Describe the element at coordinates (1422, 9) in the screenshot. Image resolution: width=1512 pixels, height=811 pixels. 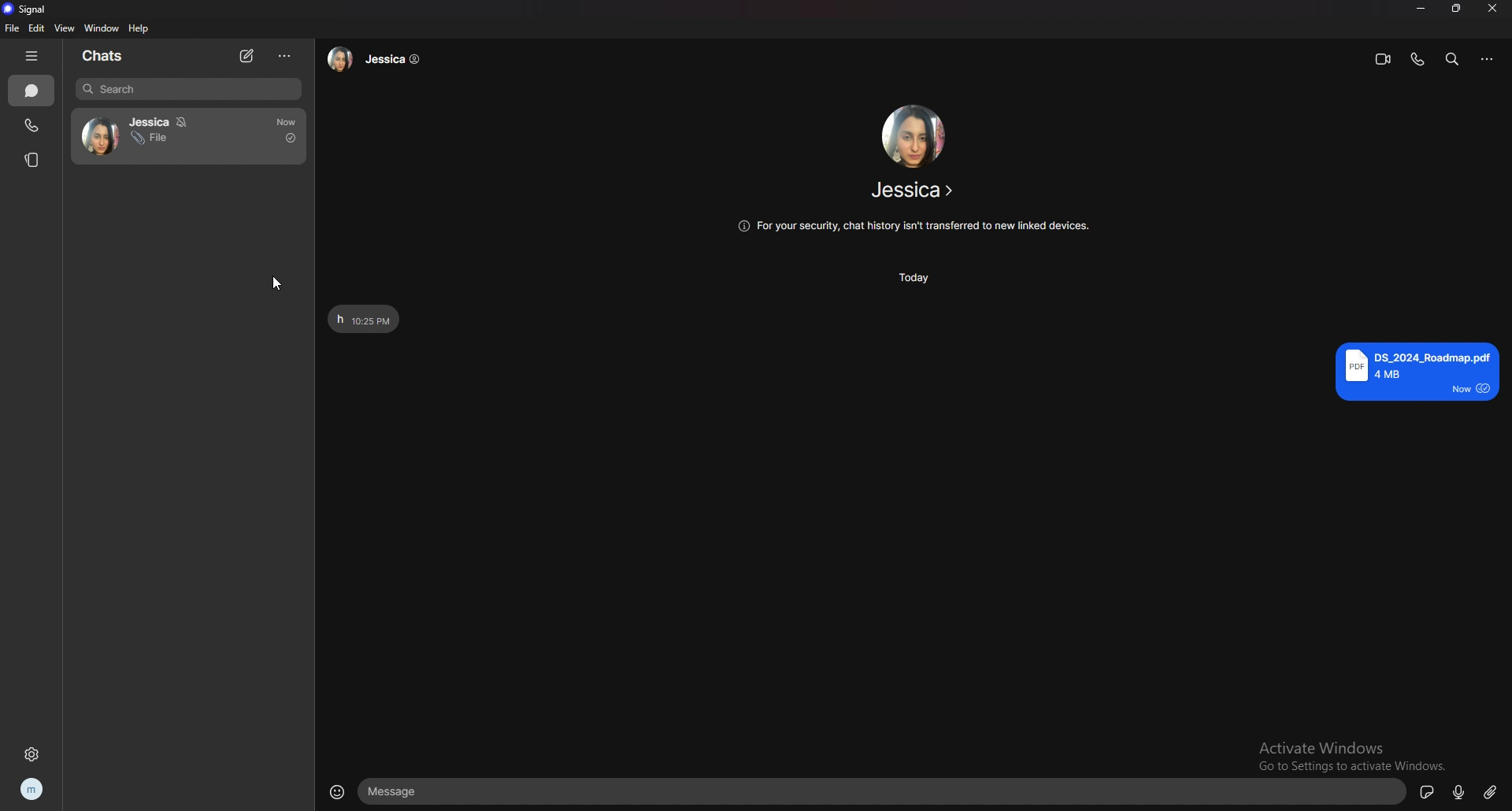
I see `minimize` at that location.